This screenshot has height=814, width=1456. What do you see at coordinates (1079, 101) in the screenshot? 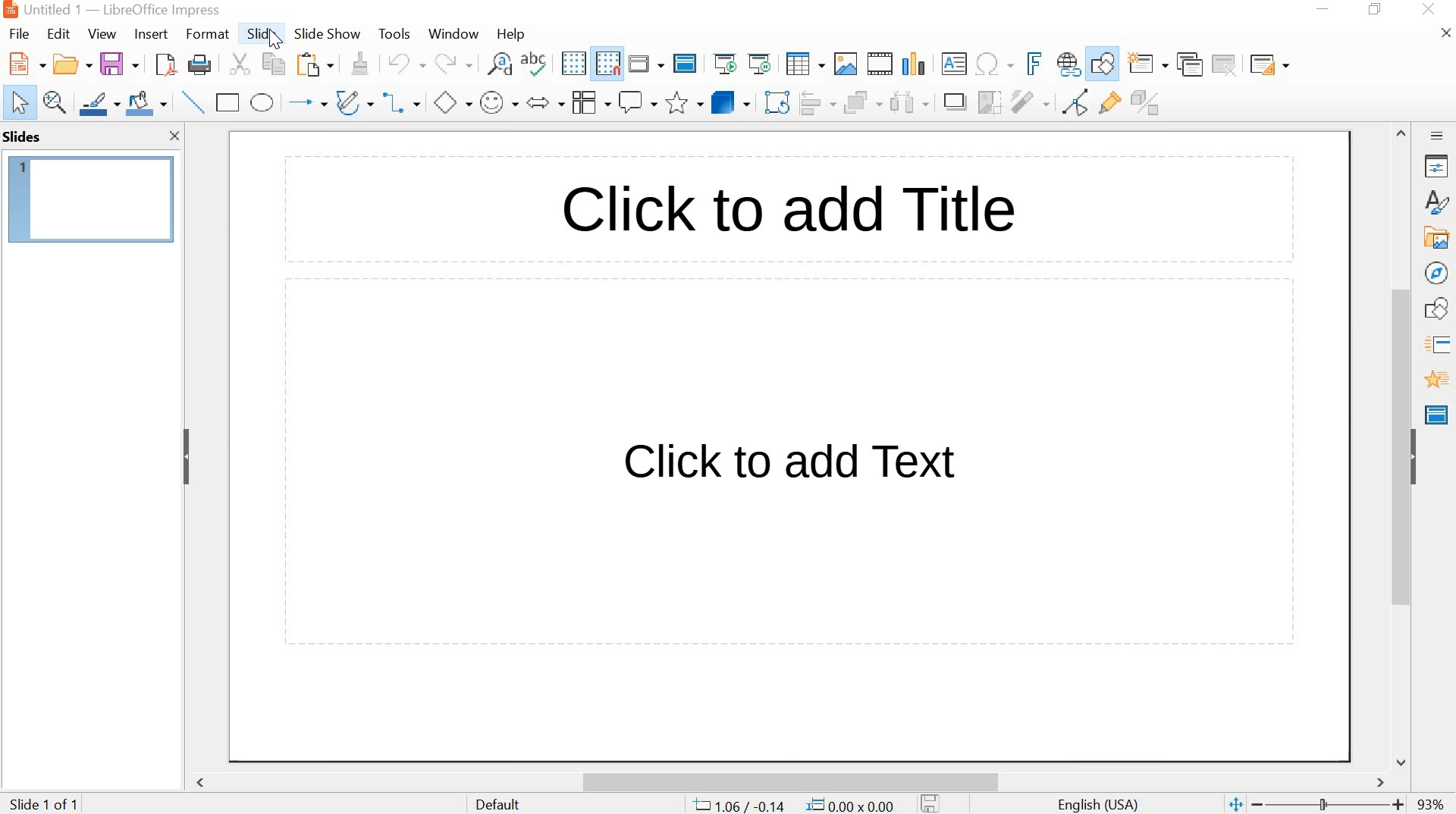
I see `Toggle Point Edit Mode` at bounding box center [1079, 101].